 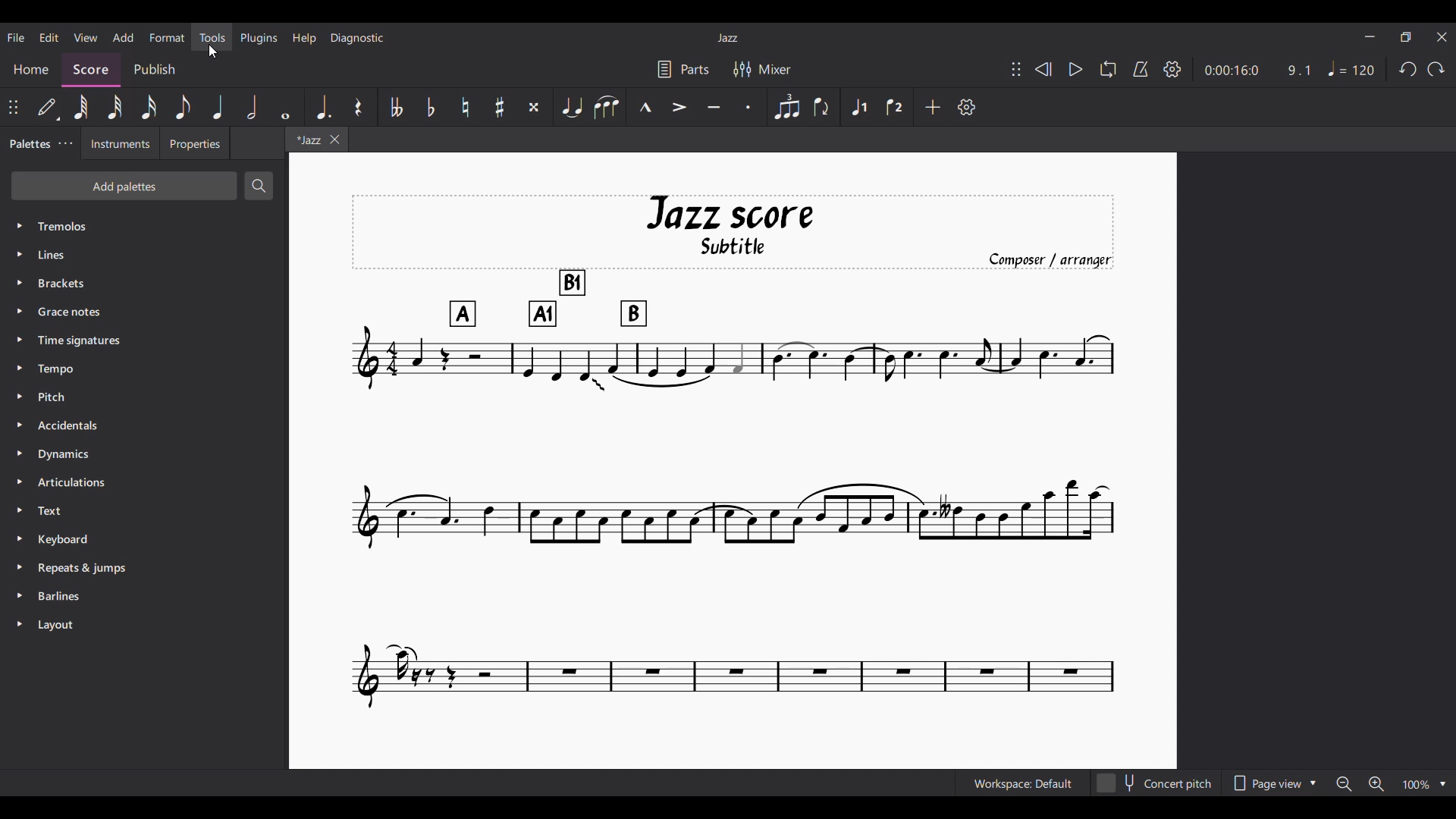 I want to click on Instruments, so click(x=120, y=143).